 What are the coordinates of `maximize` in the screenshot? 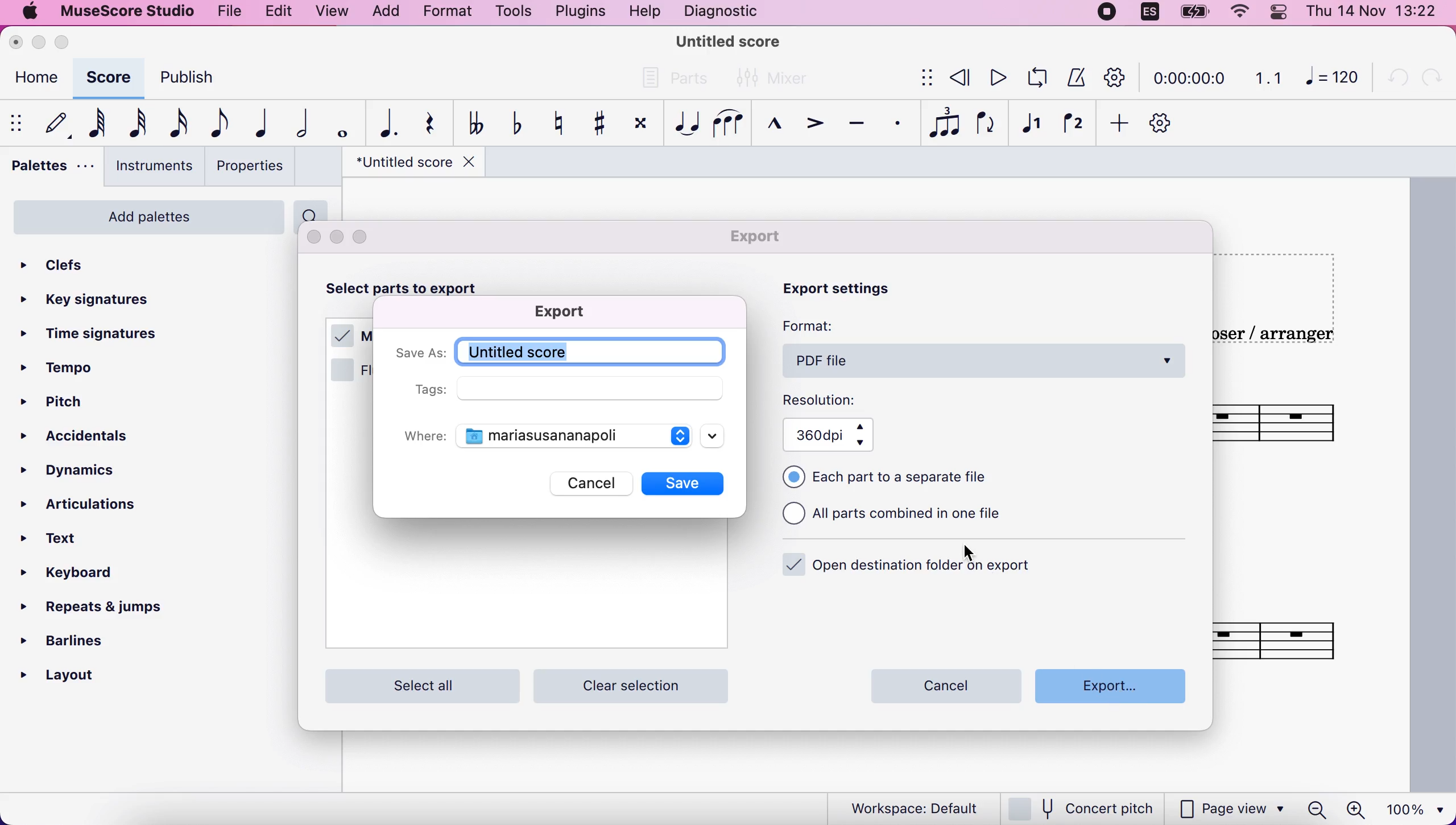 It's located at (68, 44).